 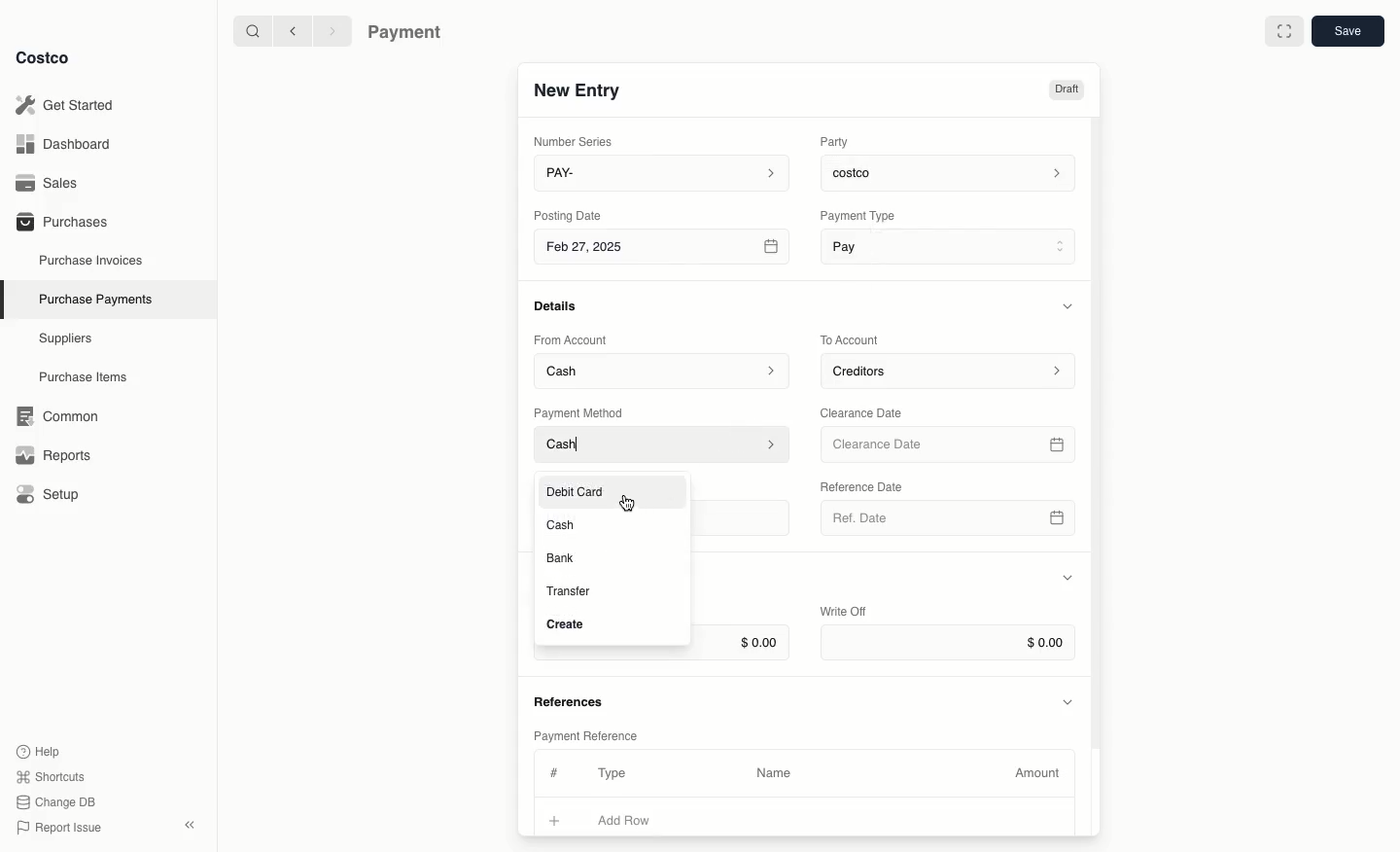 I want to click on References, so click(x=572, y=699).